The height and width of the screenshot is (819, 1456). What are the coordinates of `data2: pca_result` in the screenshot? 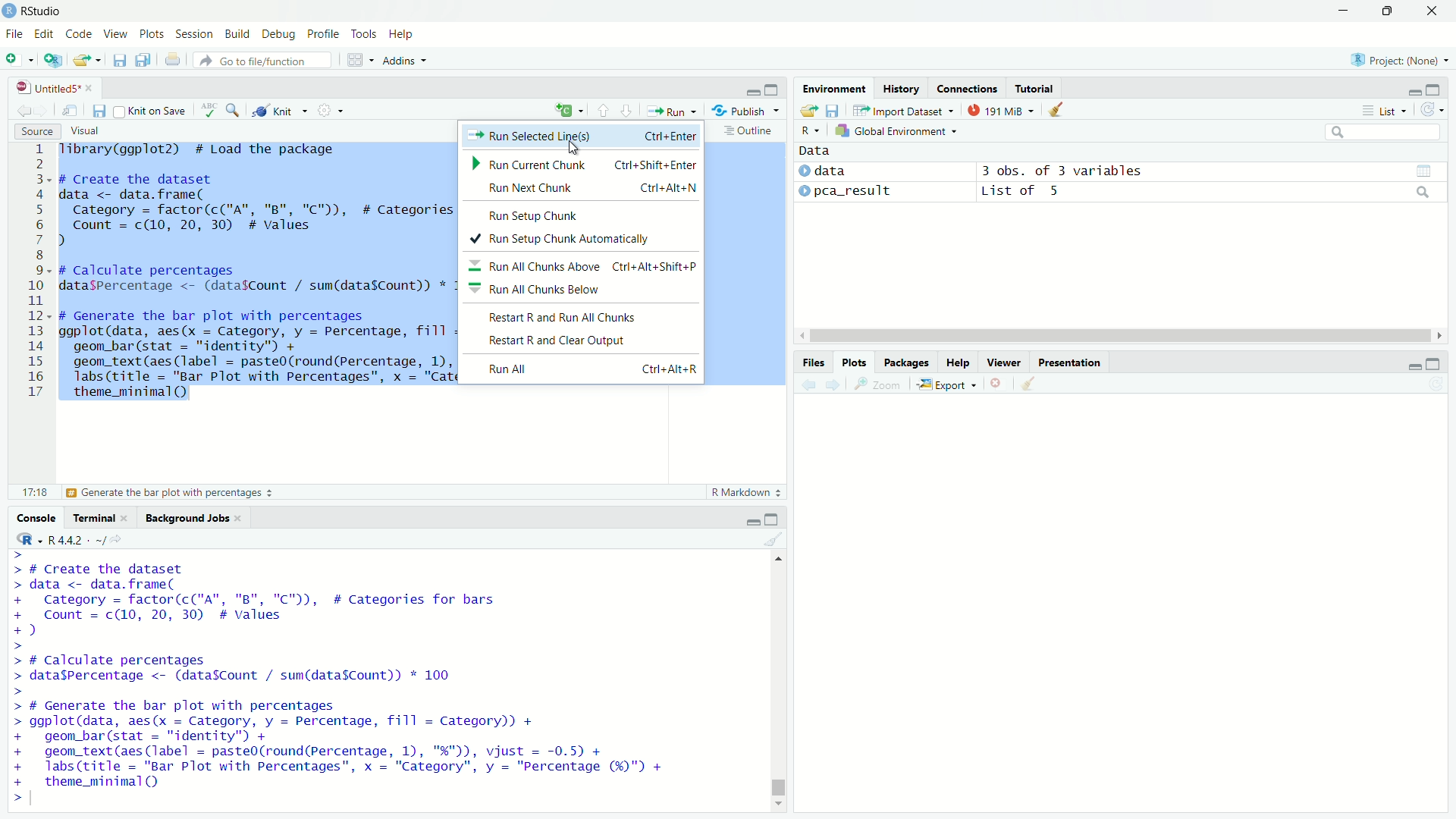 It's located at (858, 192).